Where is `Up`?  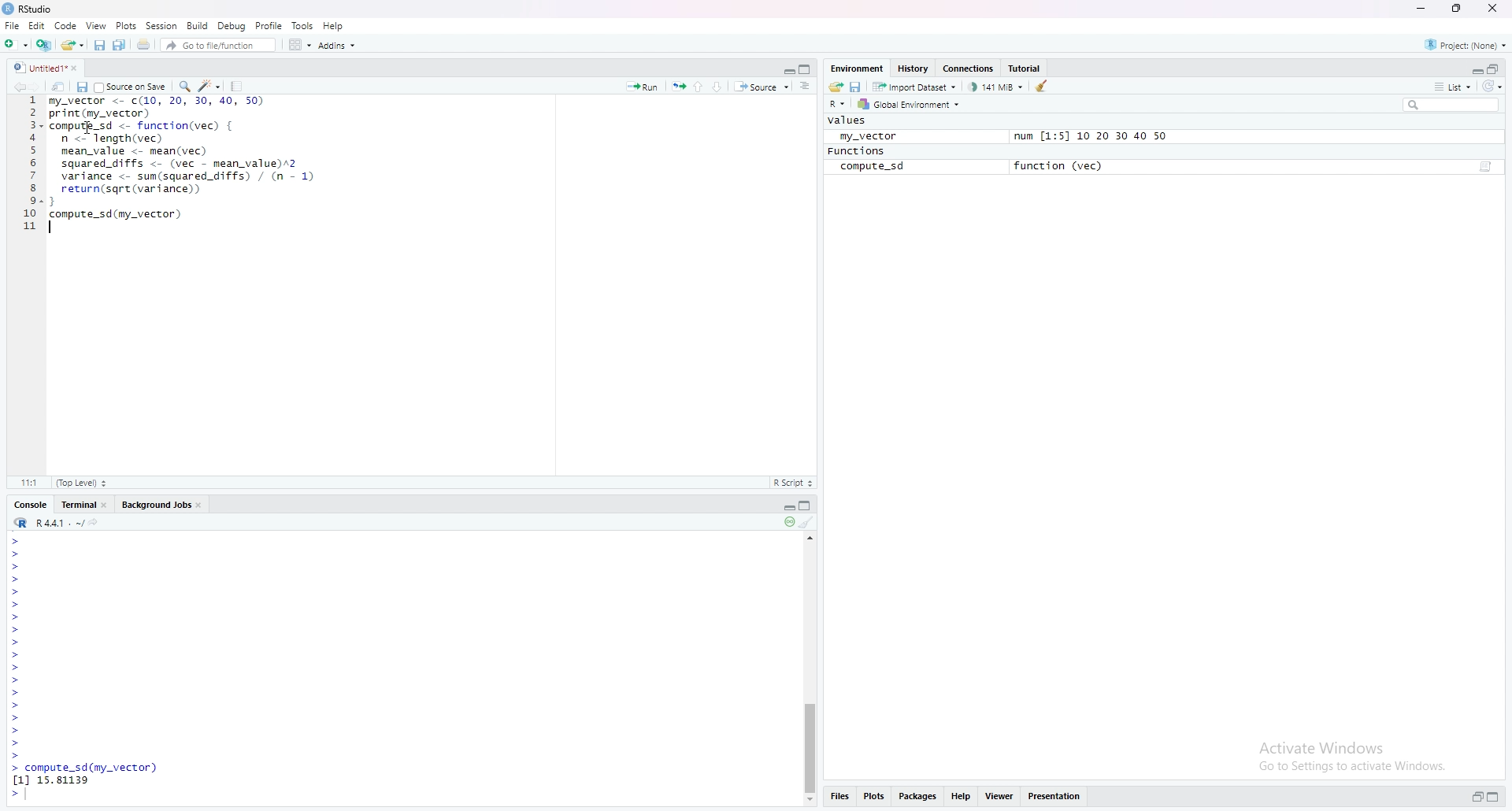
Up is located at coordinates (812, 536).